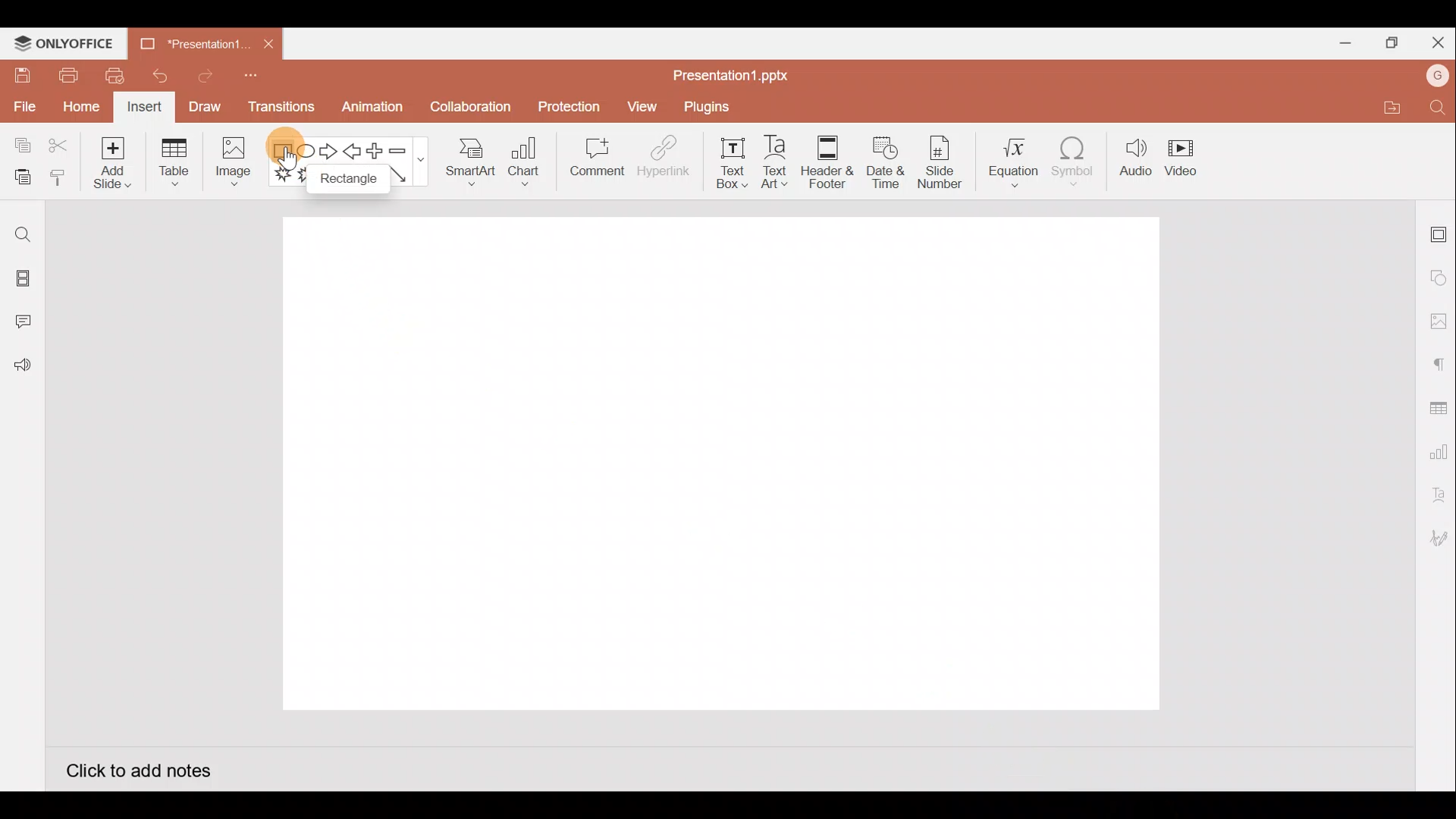 This screenshot has height=819, width=1456. Describe the element at coordinates (64, 43) in the screenshot. I see `ONLYOFFICE` at that location.